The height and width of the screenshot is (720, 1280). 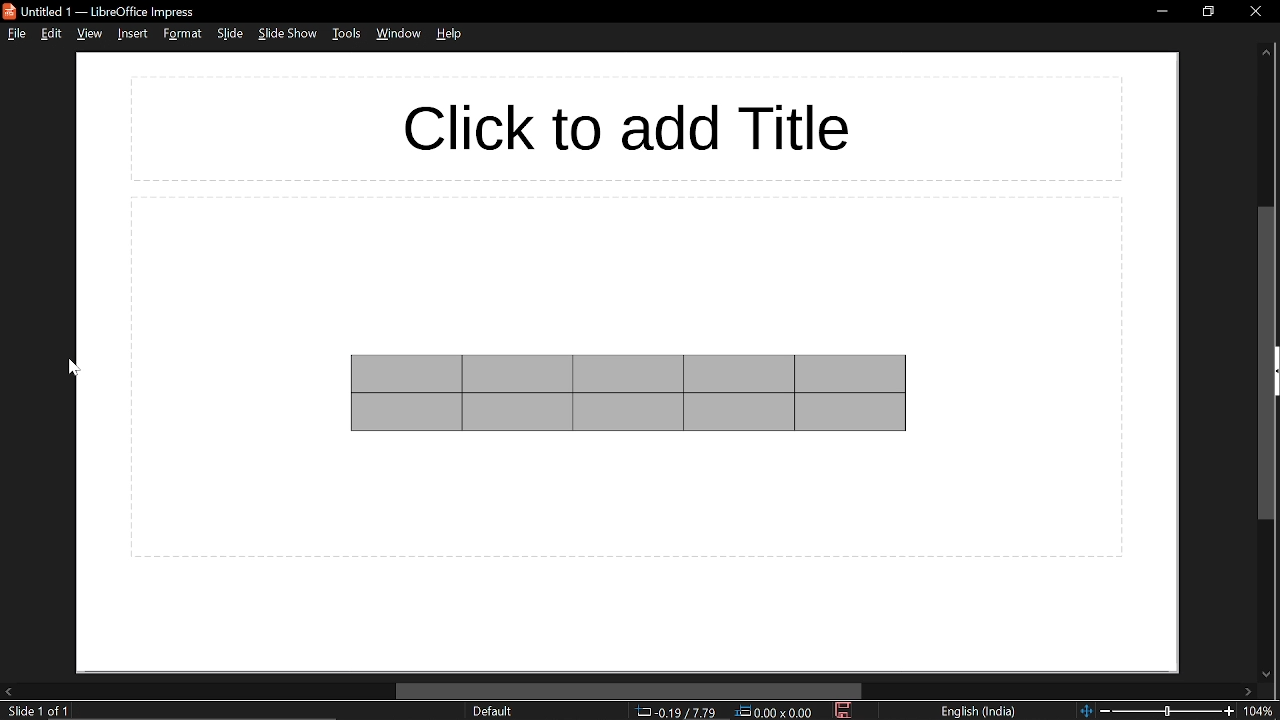 I want to click on save, so click(x=842, y=710).